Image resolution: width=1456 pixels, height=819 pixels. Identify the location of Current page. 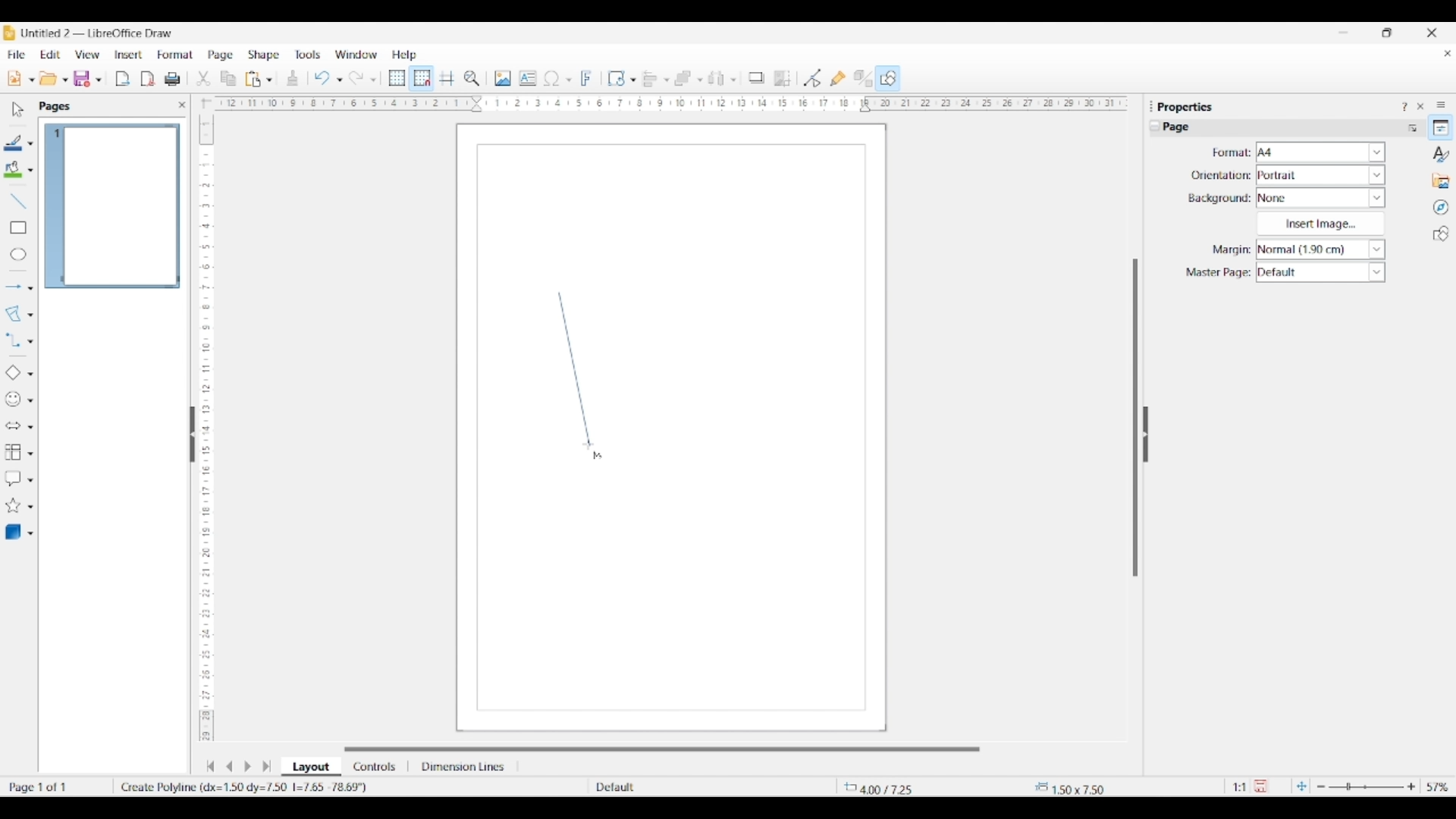
(111, 206).